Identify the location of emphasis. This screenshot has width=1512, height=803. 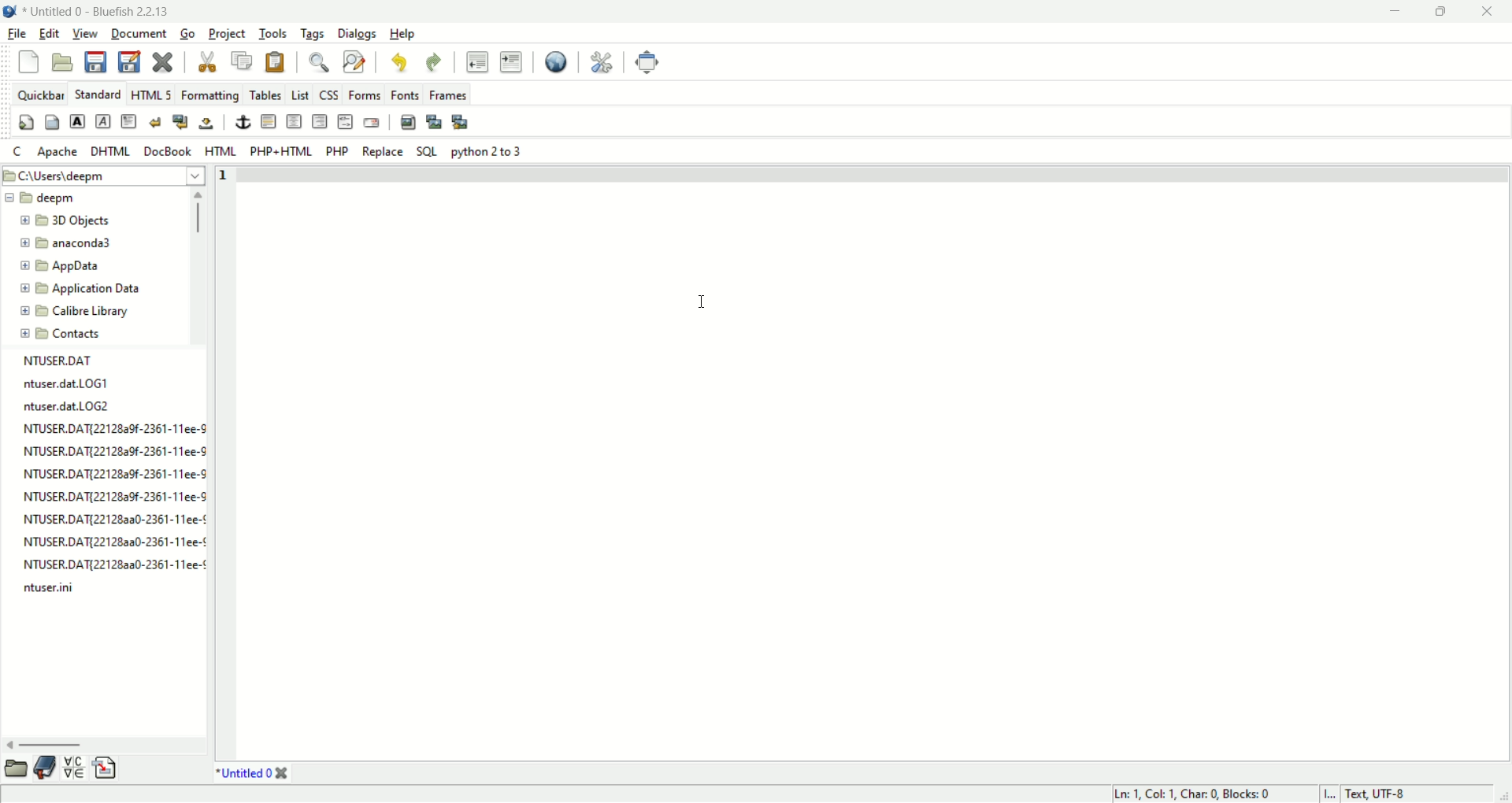
(103, 122).